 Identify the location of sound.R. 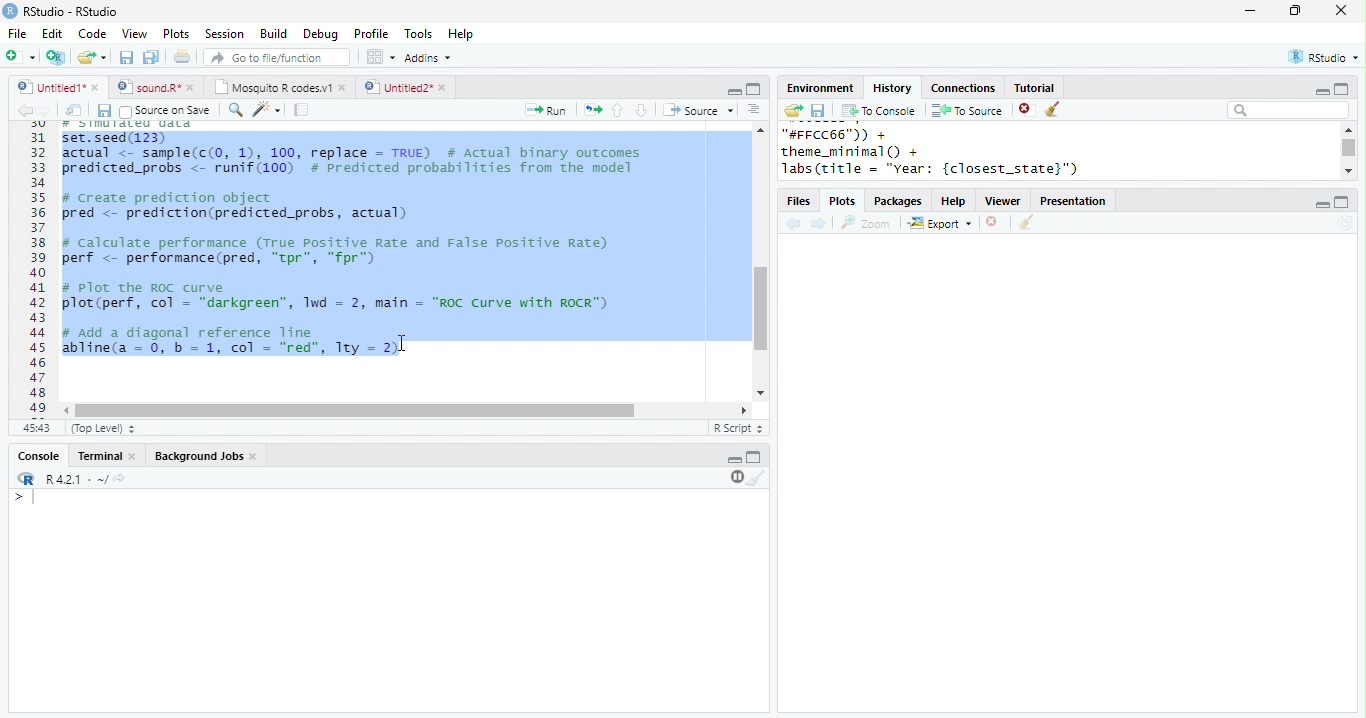
(149, 87).